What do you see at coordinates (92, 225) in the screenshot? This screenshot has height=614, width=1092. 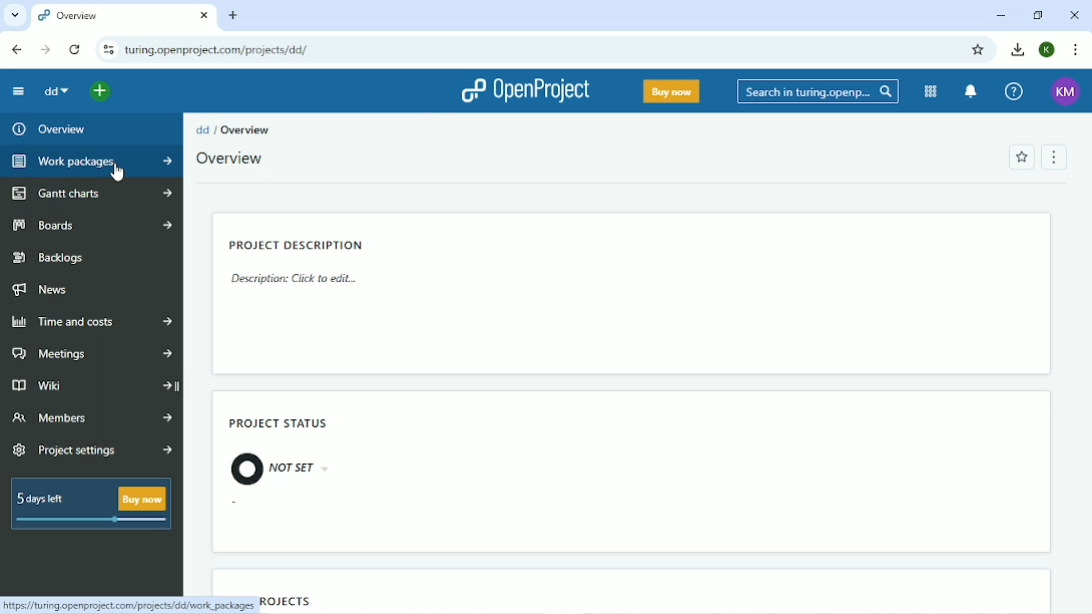 I see `Boards` at bounding box center [92, 225].